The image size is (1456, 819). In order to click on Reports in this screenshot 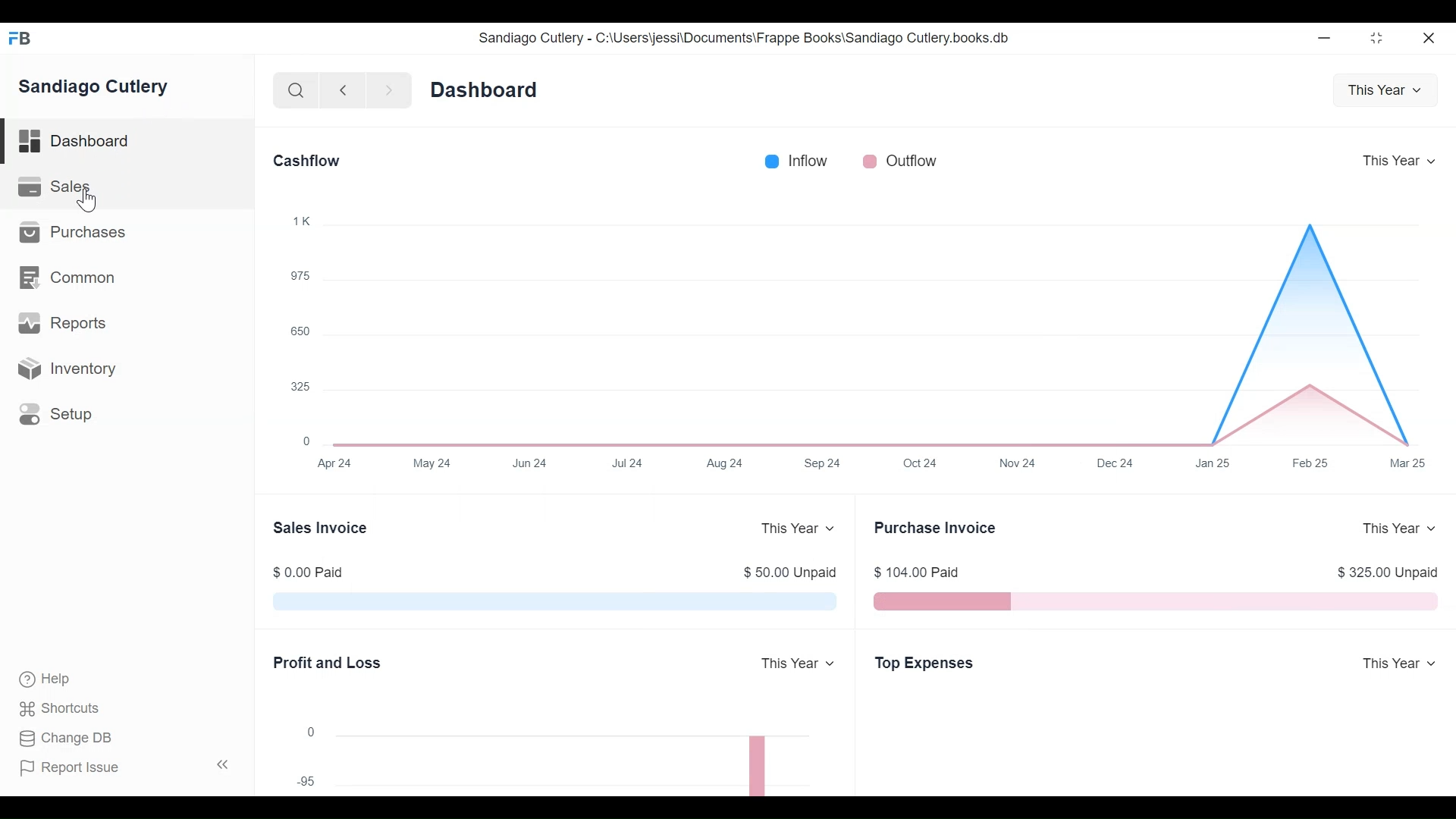, I will do `click(66, 325)`.